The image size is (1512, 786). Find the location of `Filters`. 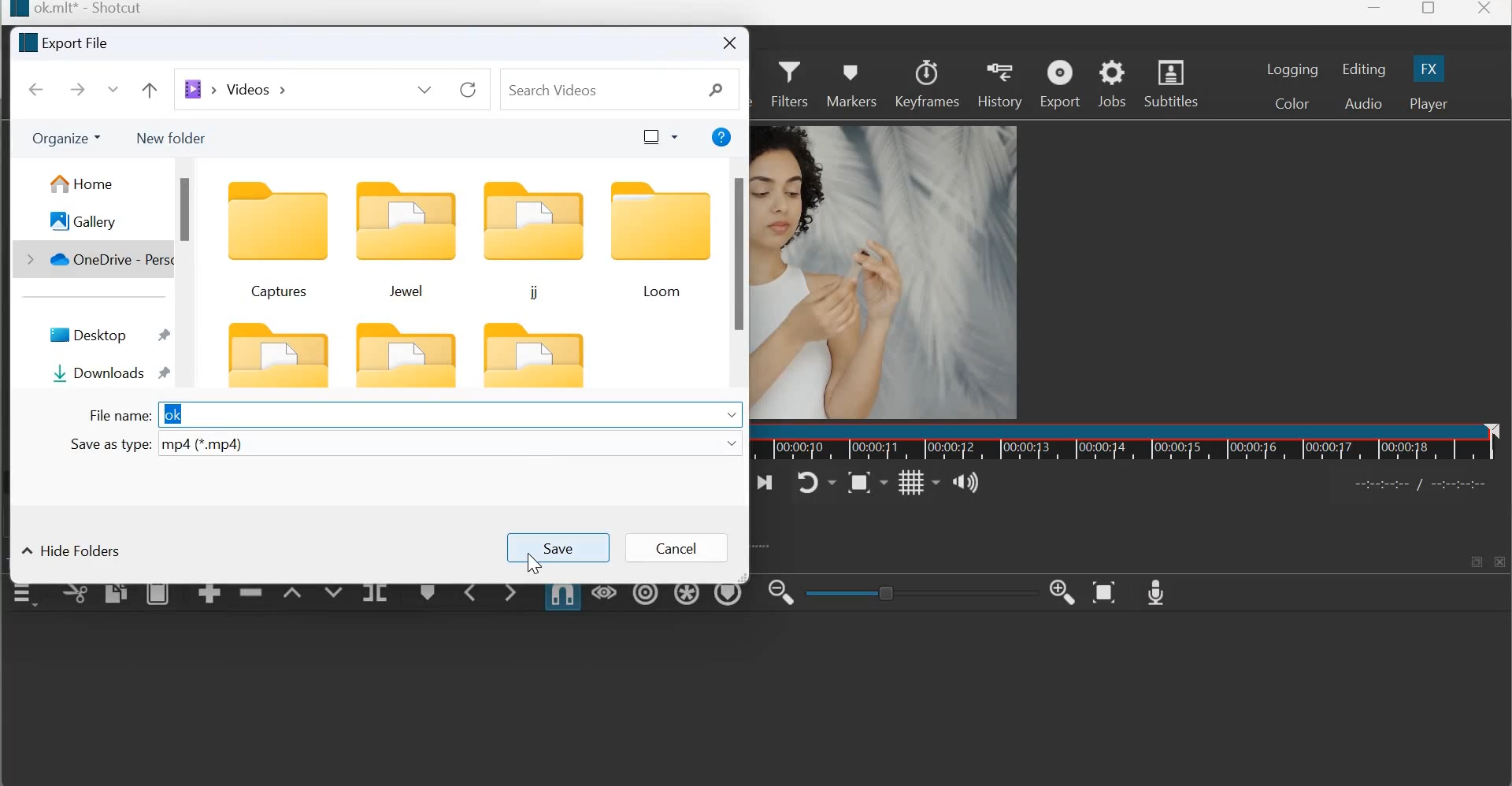

Filters is located at coordinates (790, 82).